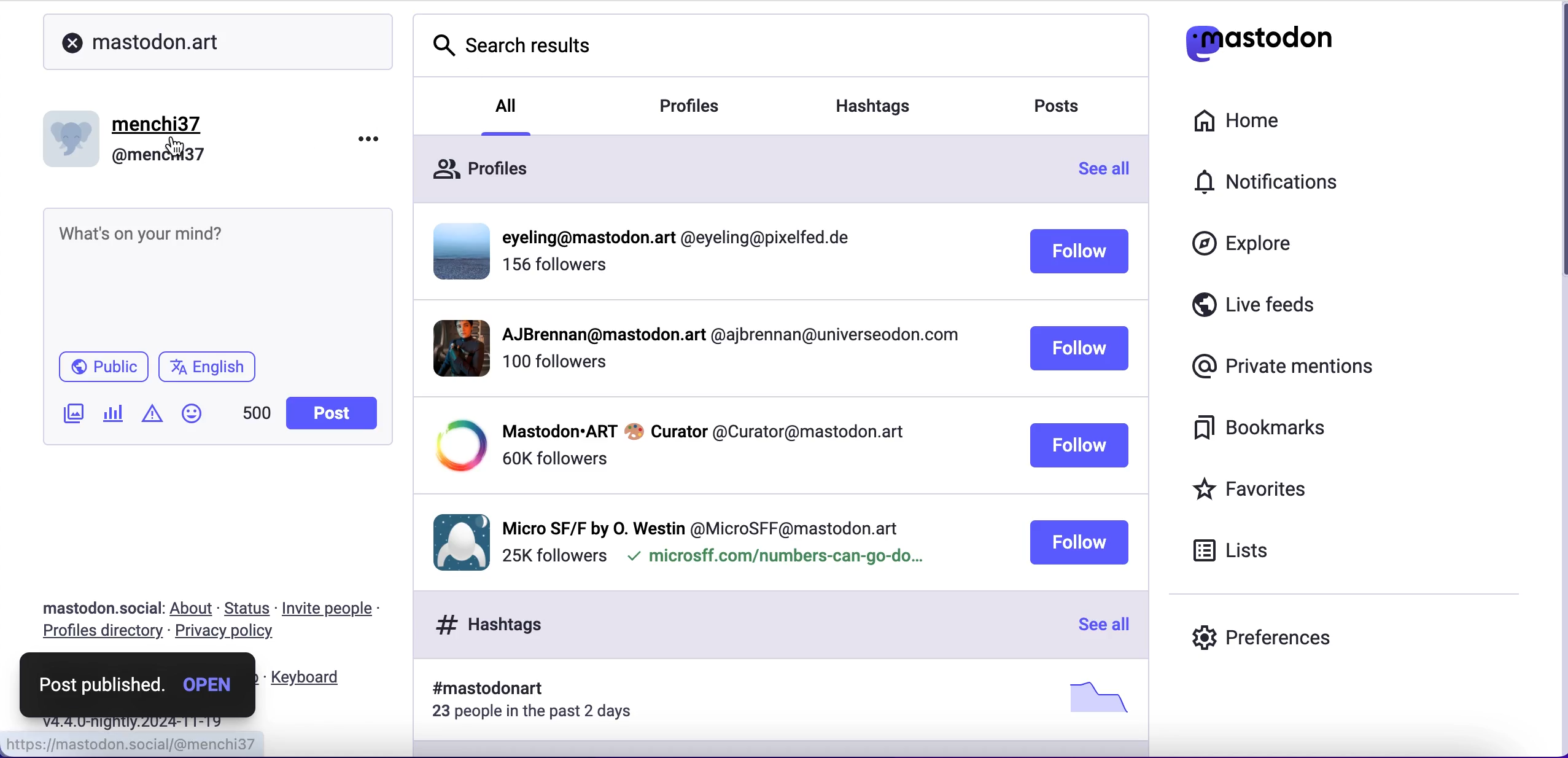  What do you see at coordinates (690, 104) in the screenshot?
I see `profiles` at bounding box center [690, 104].